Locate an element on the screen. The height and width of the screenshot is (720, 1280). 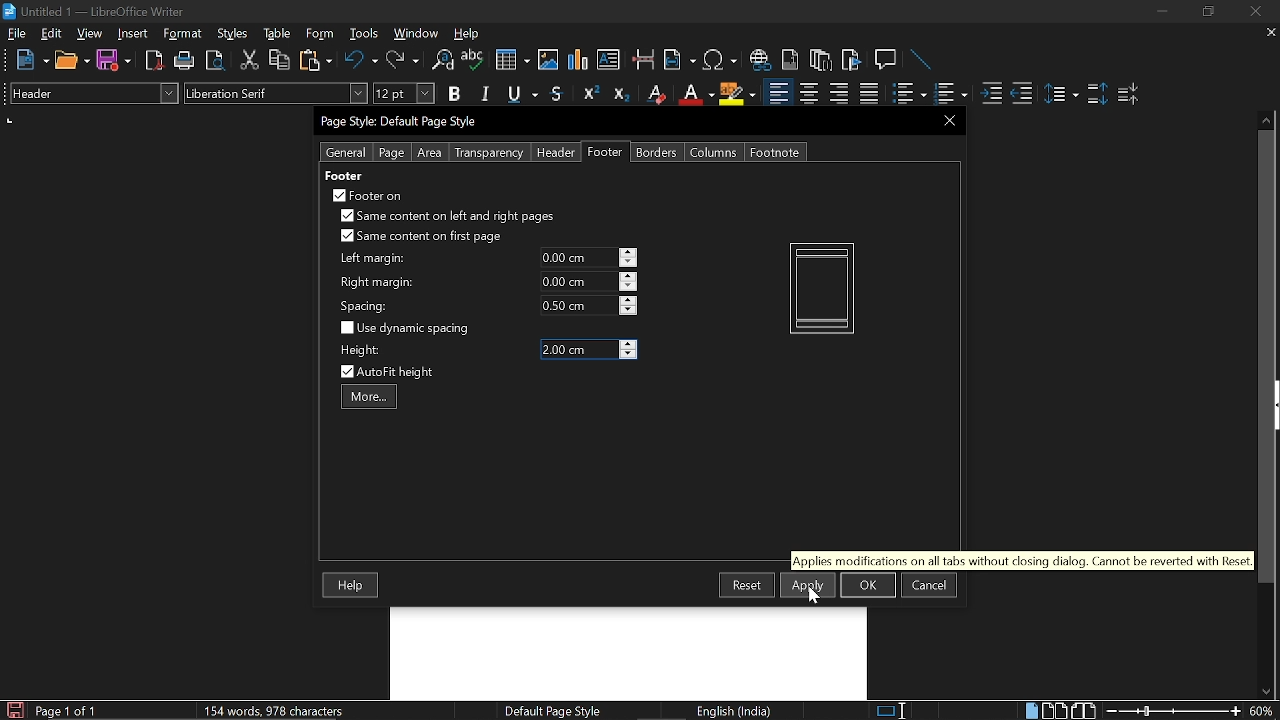
Book view is located at coordinates (1086, 710).